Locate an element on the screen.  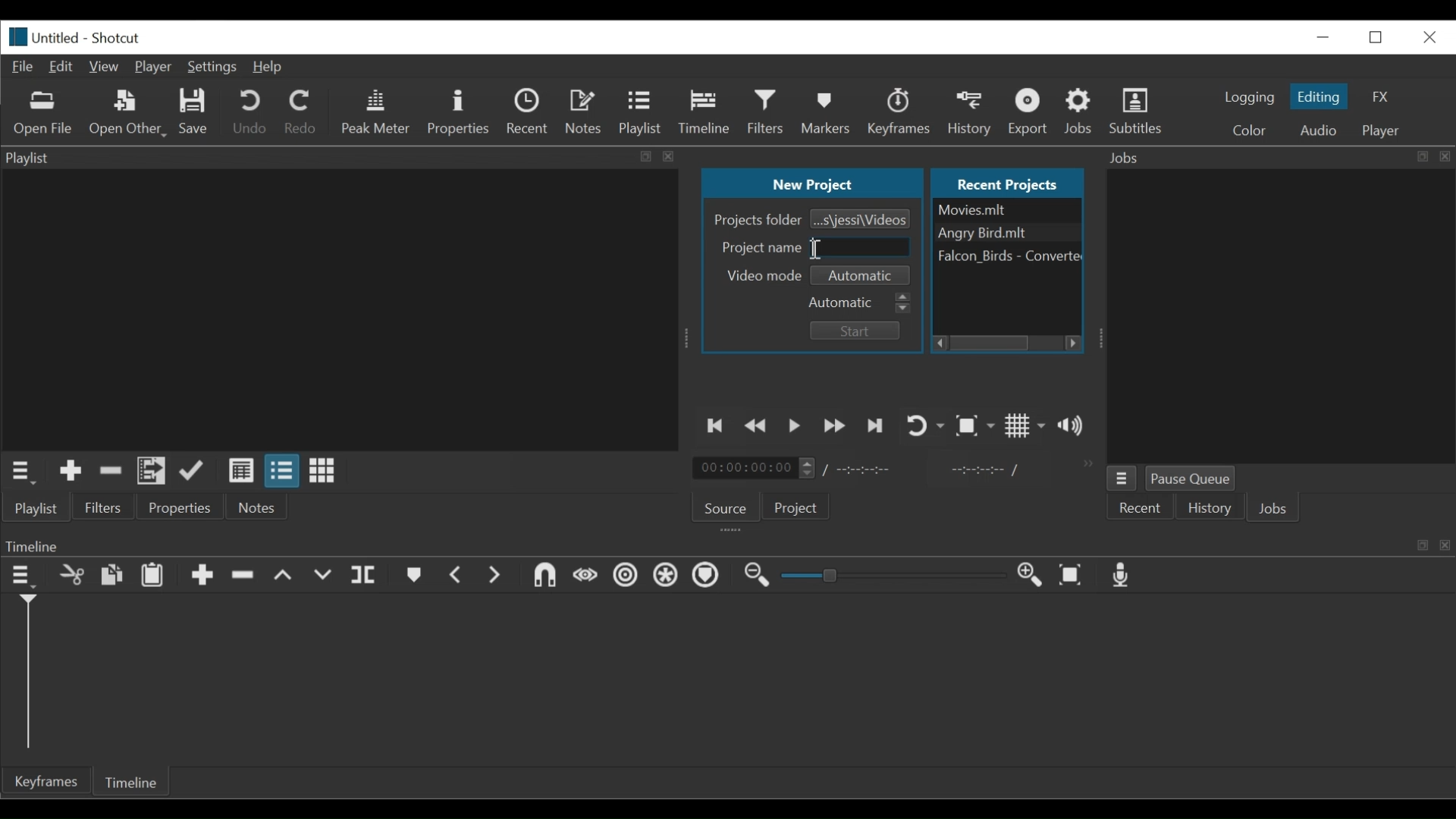
Toggle player looping is located at coordinates (926, 425).